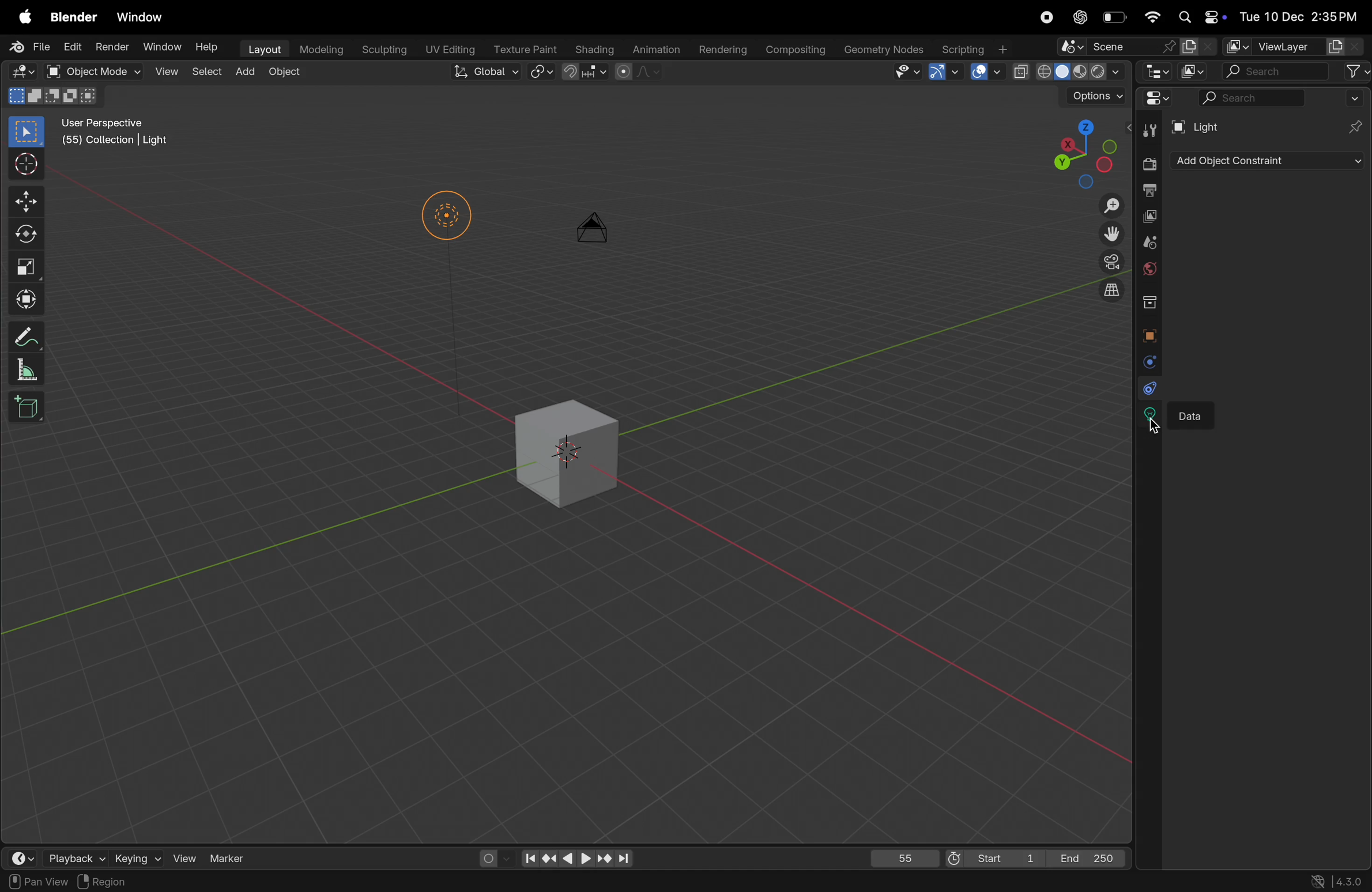 The height and width of the screenshot is (892, 1372). I want to click on snap, so click(541, 73).